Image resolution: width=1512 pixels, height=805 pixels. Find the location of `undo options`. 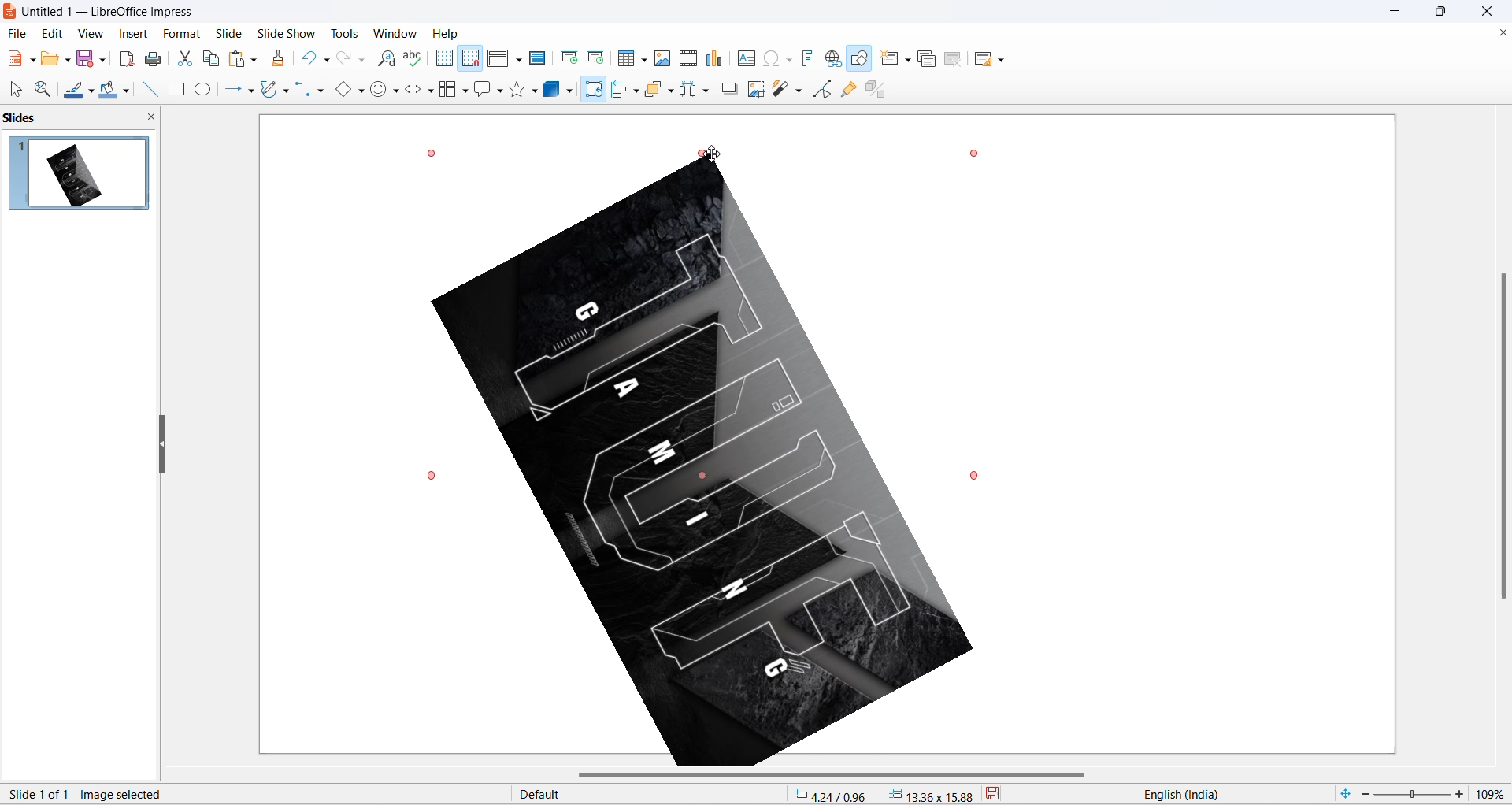

undo options is located at coordinates (325, 61).